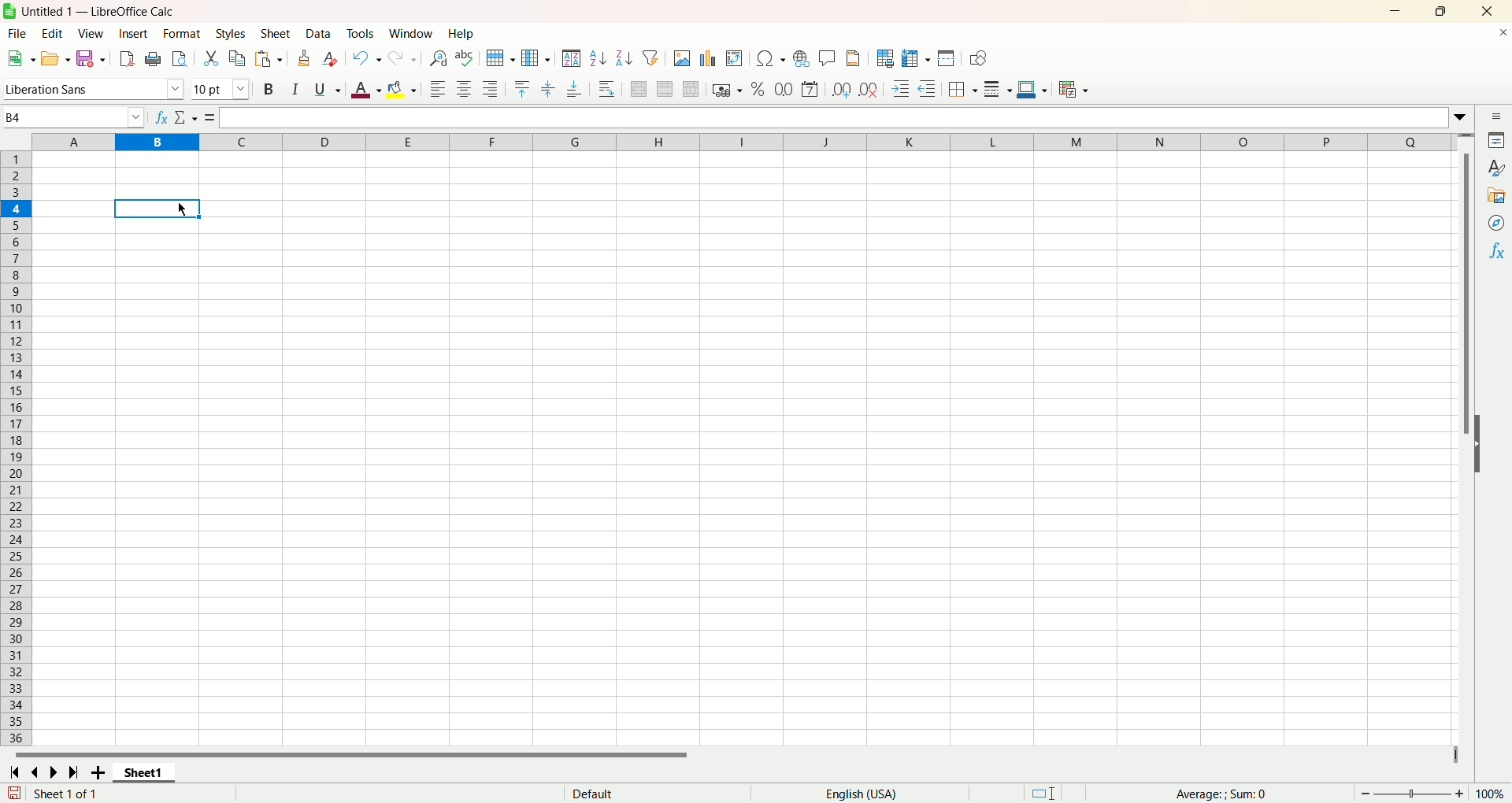 This screenshot has height=803, width=1512. What do you see at coordinates (17, 449) in the screenshot?
I see `row number` at bounding box center [17, 449].